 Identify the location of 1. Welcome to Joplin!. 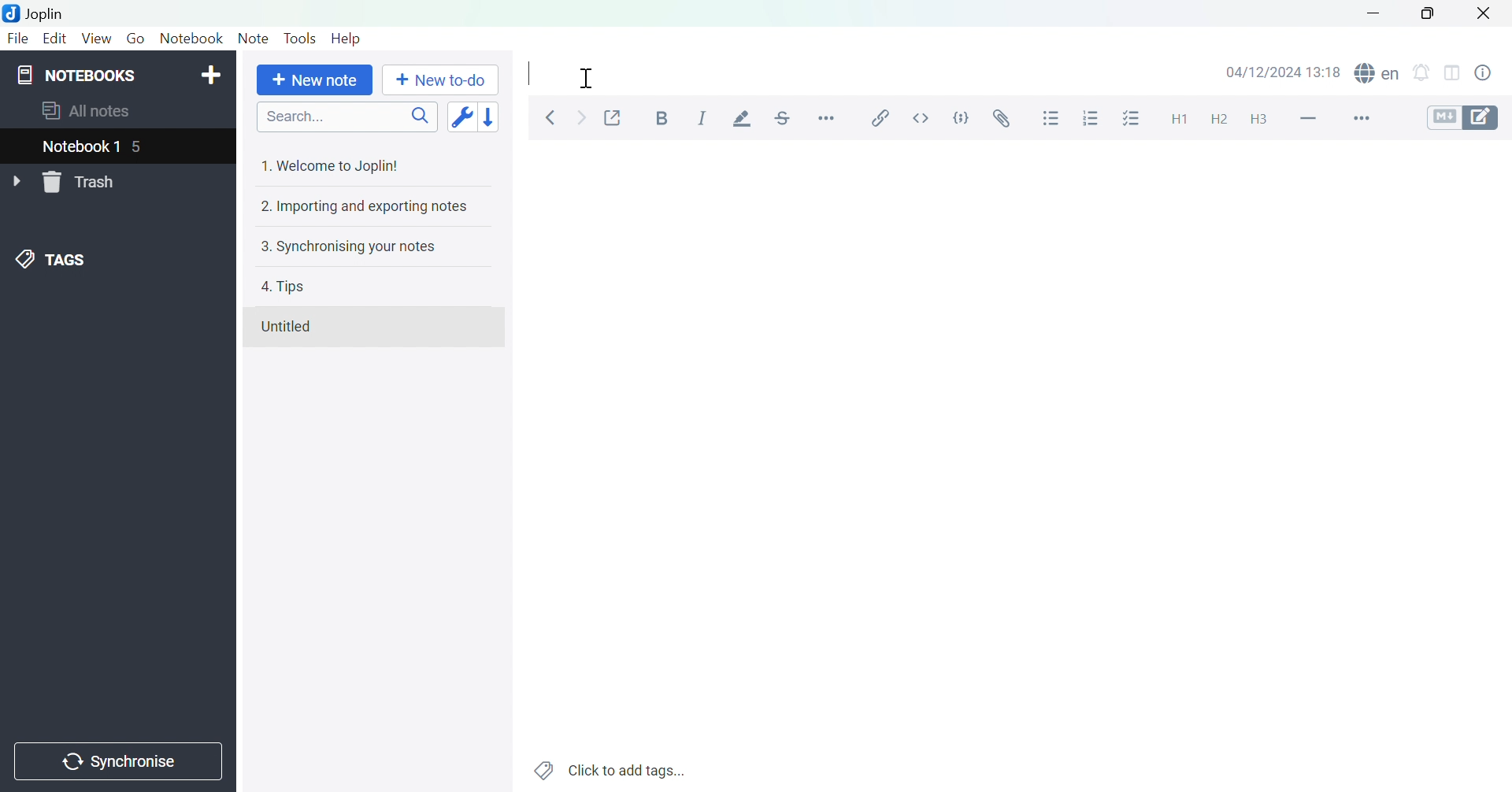
(336, 165).